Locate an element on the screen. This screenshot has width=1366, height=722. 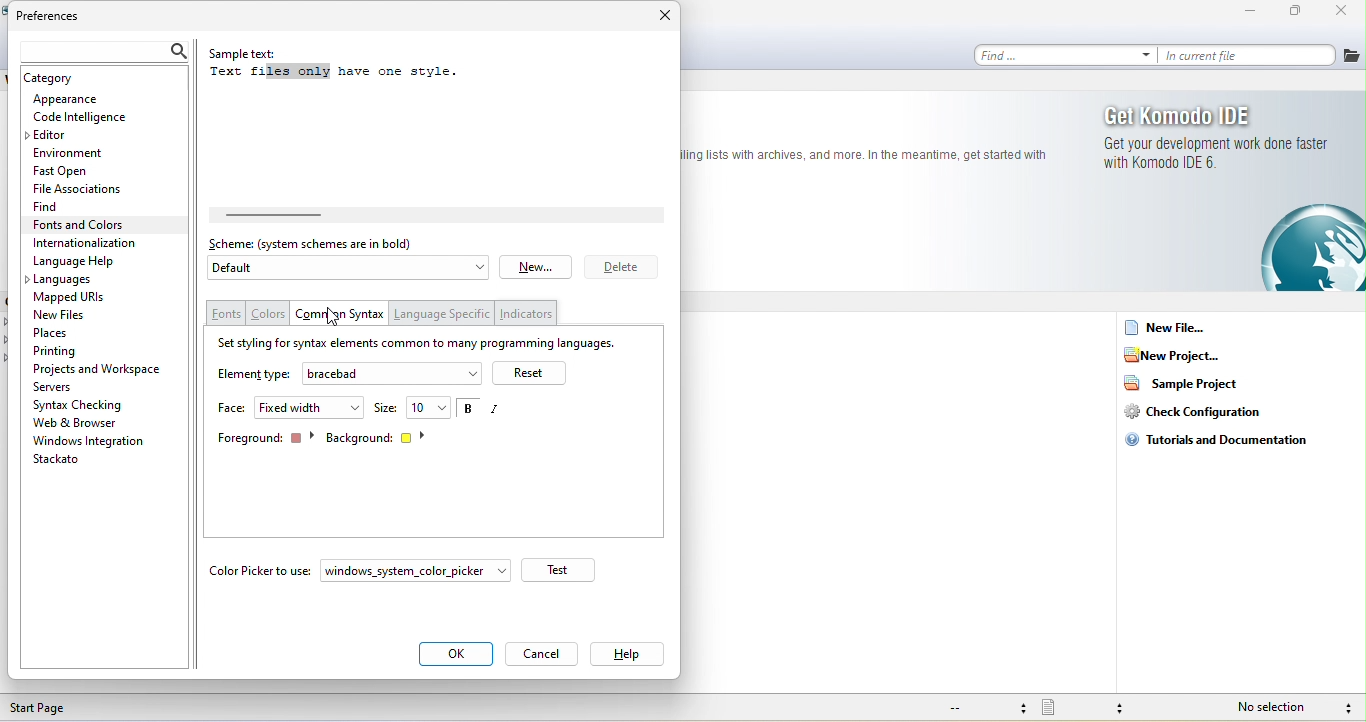
new file is located at coordinates (1178, 326).